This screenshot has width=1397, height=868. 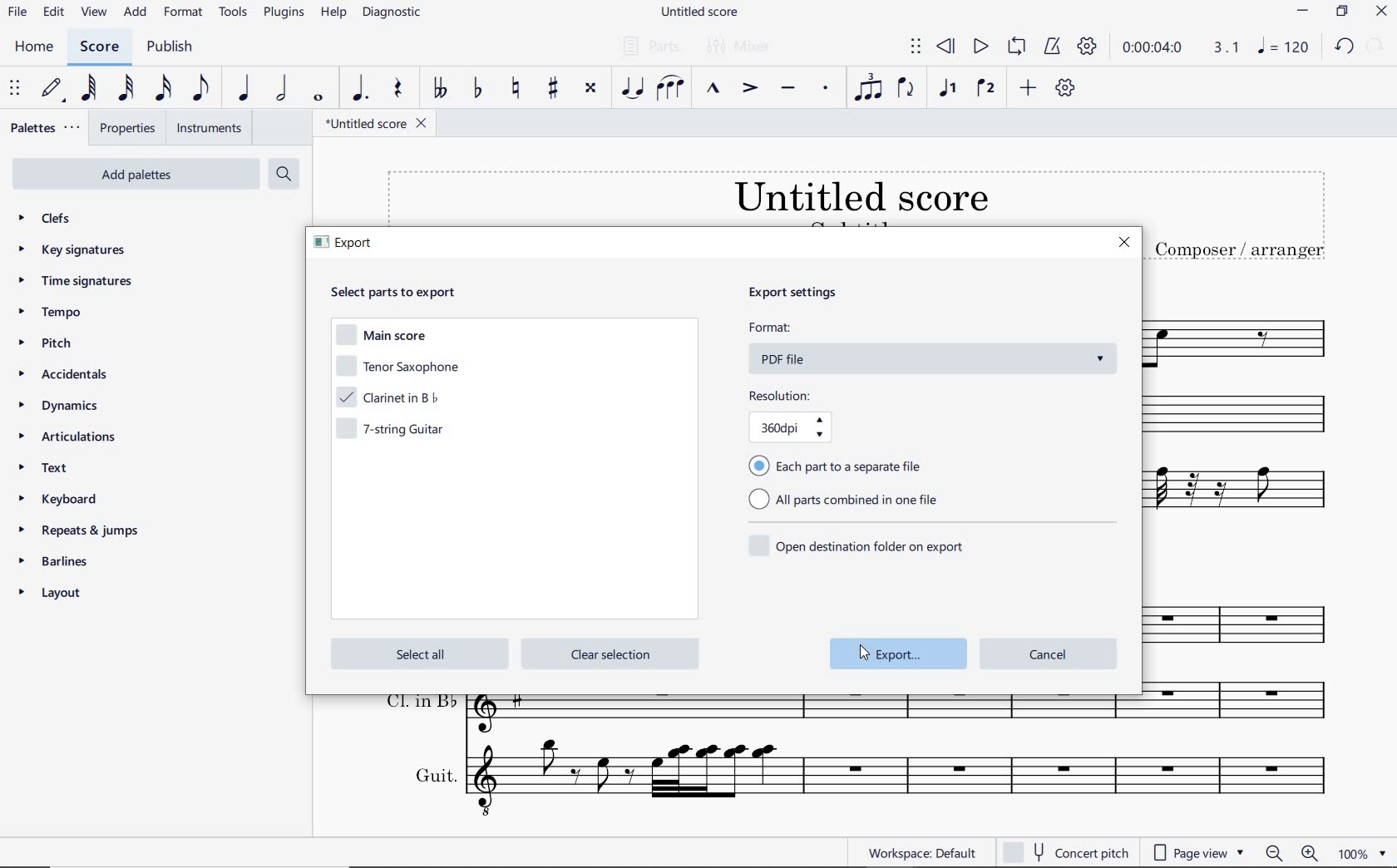 What do you see at coordinates (515, 89) in the screenshot?
I see `TOGGLE NATURAL` at bounding box center [515, 89].